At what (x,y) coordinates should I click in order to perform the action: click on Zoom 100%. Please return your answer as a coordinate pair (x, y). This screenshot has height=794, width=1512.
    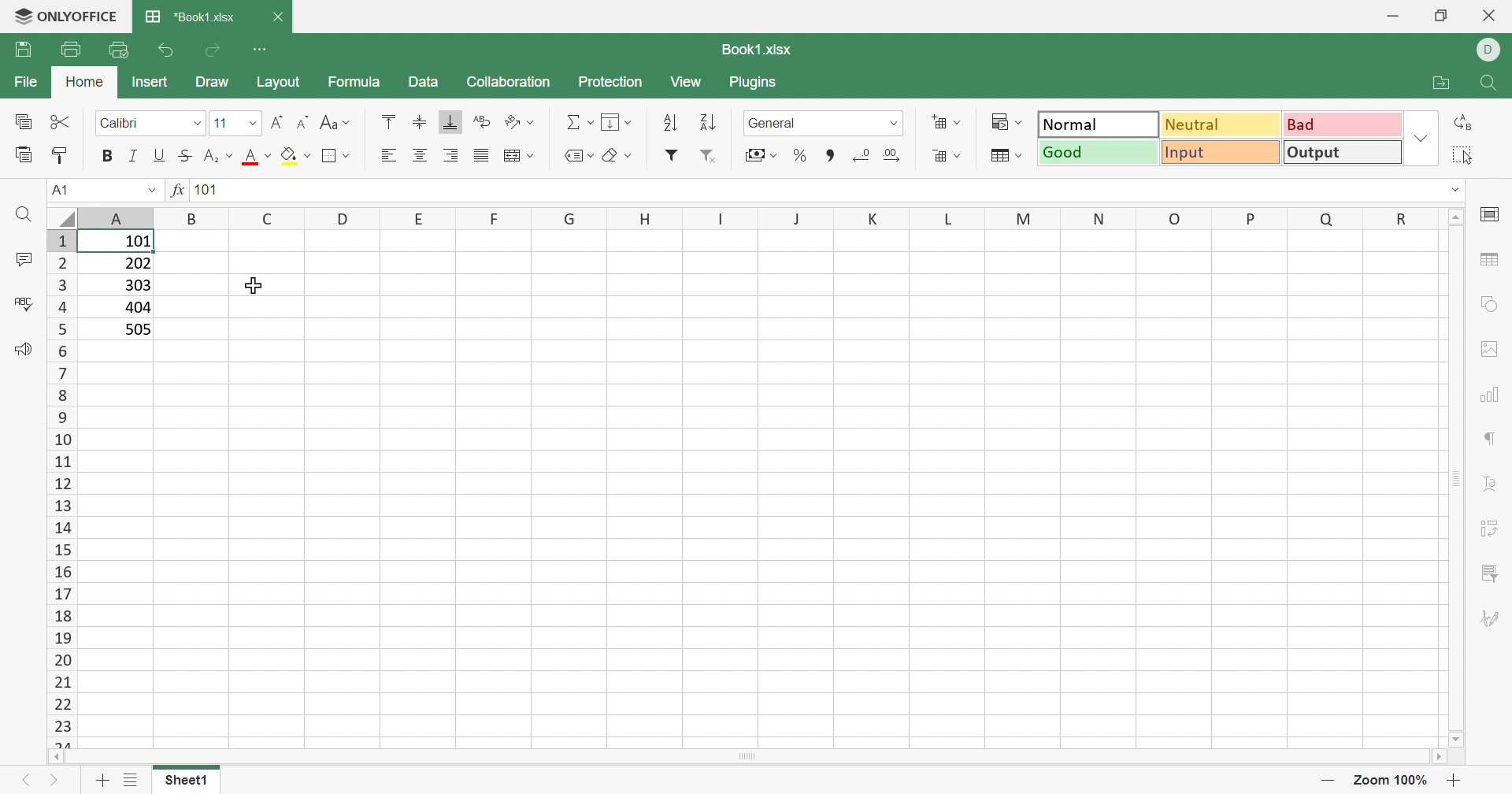
    Looking at the image, I should click on (1388, 779).